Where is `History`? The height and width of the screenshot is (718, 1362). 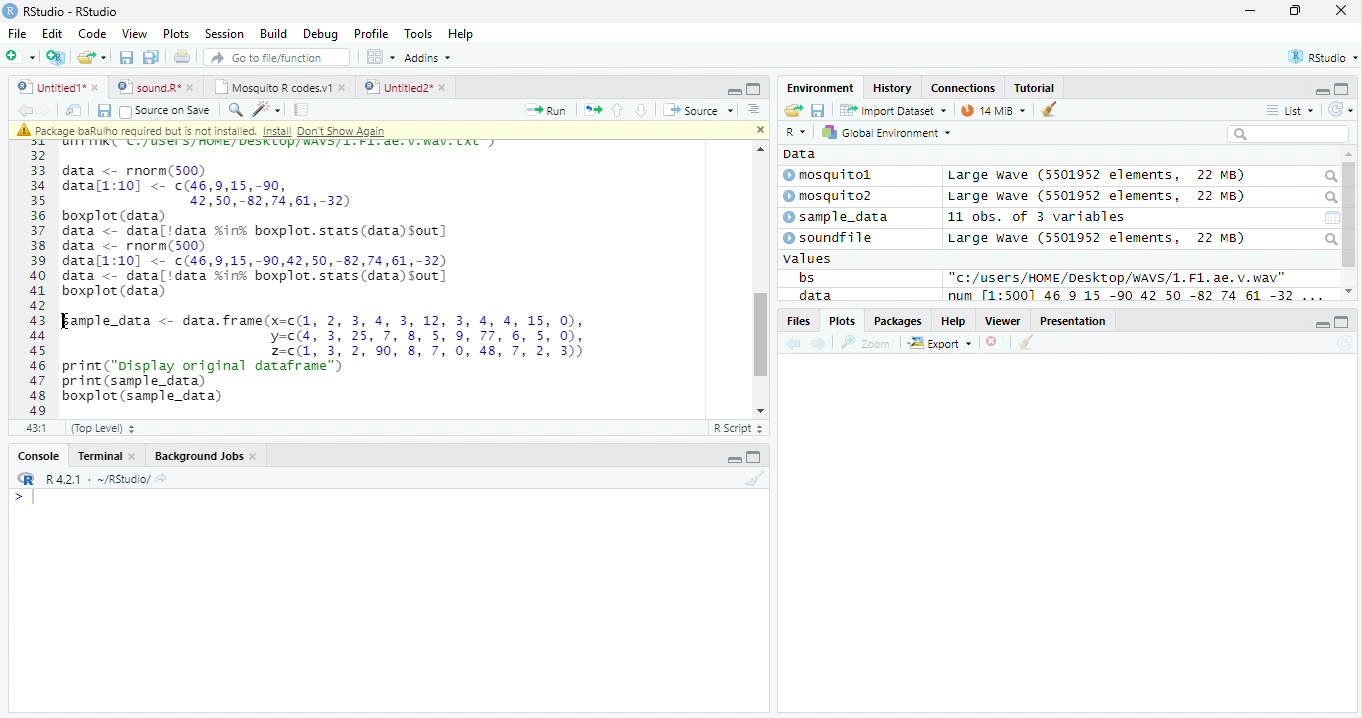 History is located at coordinates (892, 88).